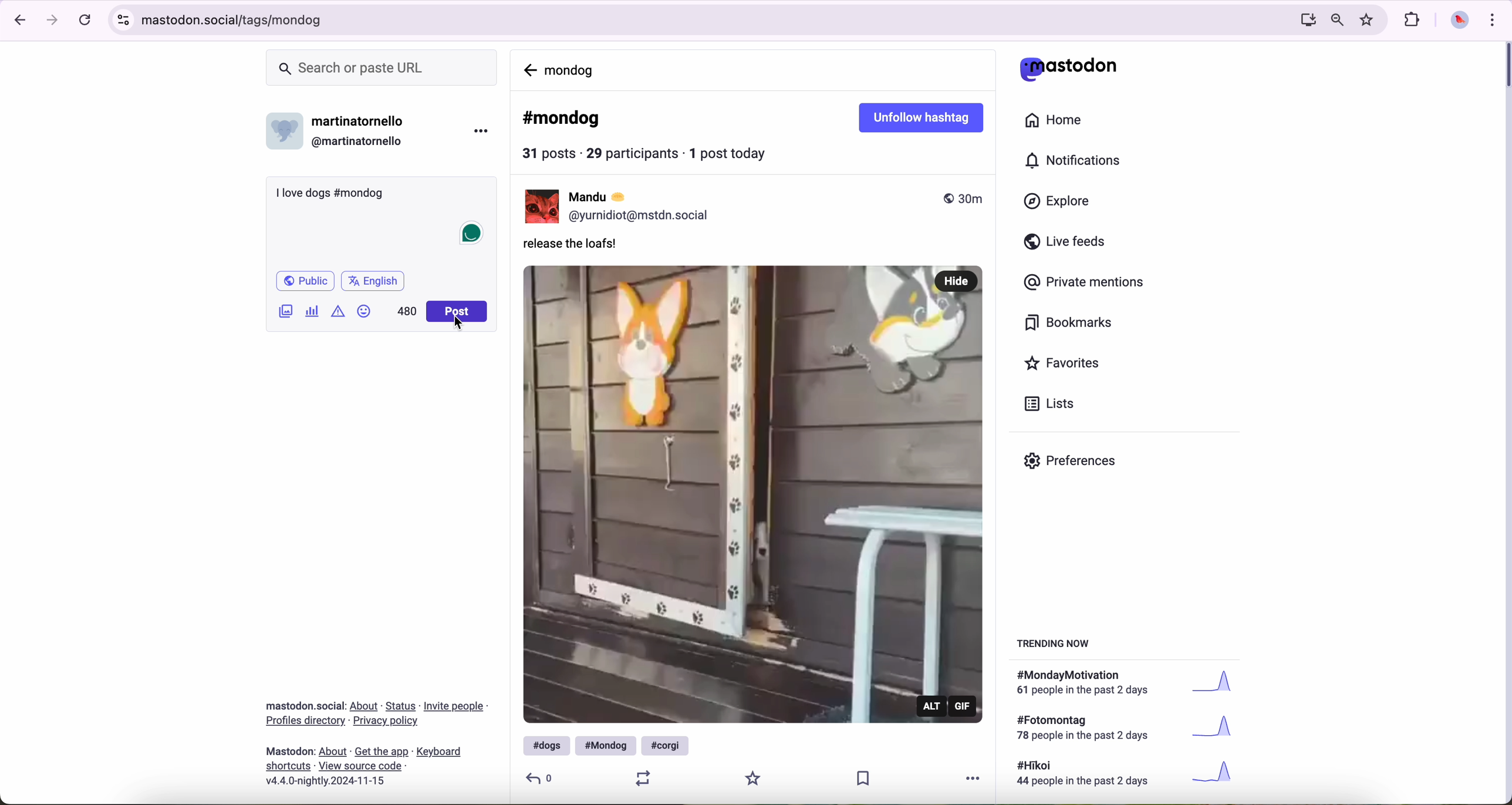 The image size is (1512, 805). What do you see at coordinates (1089, 775) in the screenshot?
I see `text` at bounding box center [1089, 775].